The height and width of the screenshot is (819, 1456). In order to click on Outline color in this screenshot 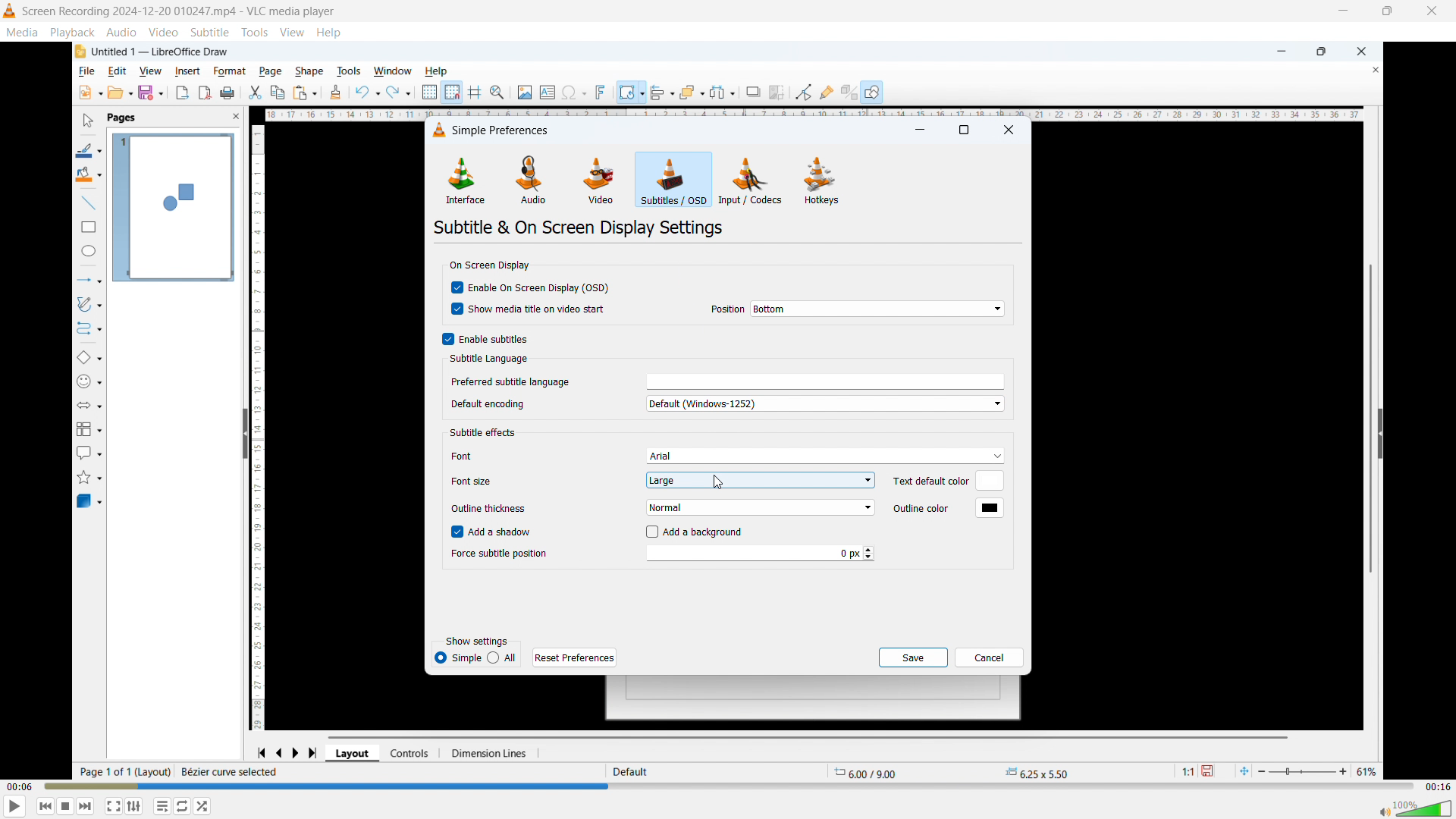, I will do `click(921, 508)`.